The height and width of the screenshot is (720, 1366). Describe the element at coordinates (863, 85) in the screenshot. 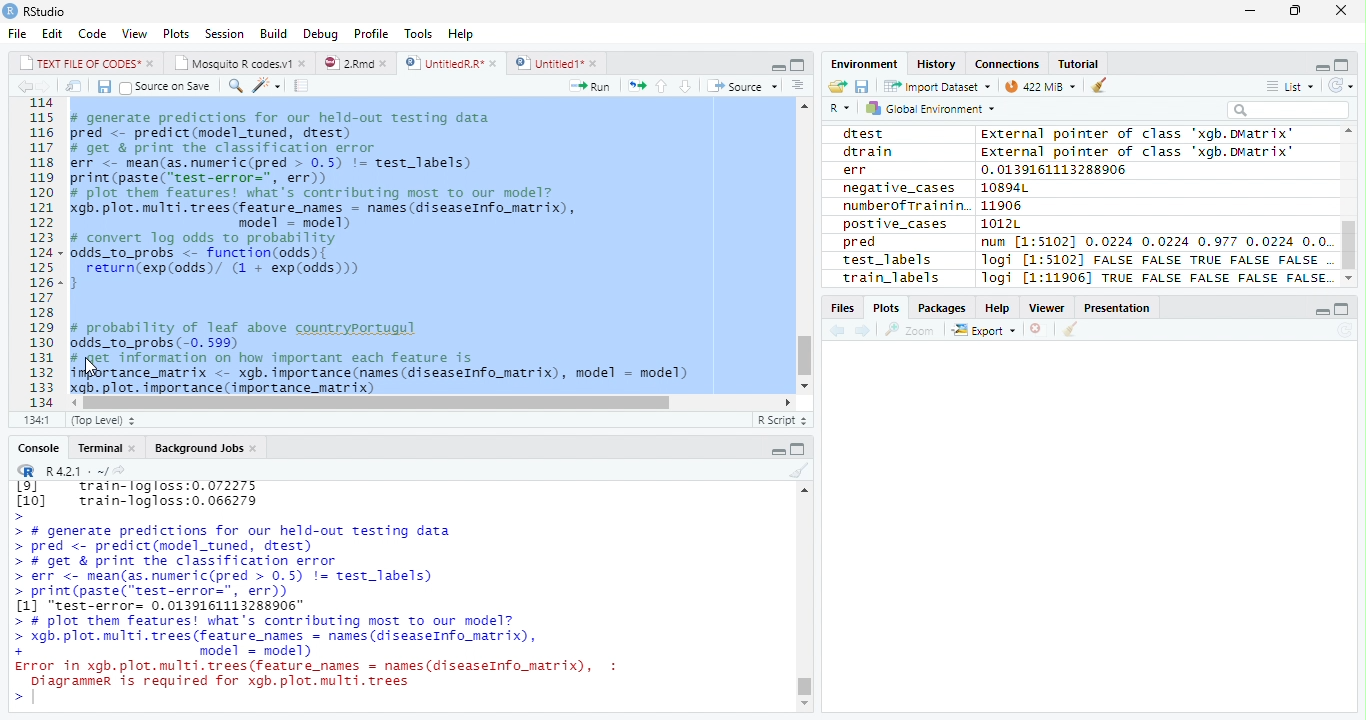

I see `Save` at that location.